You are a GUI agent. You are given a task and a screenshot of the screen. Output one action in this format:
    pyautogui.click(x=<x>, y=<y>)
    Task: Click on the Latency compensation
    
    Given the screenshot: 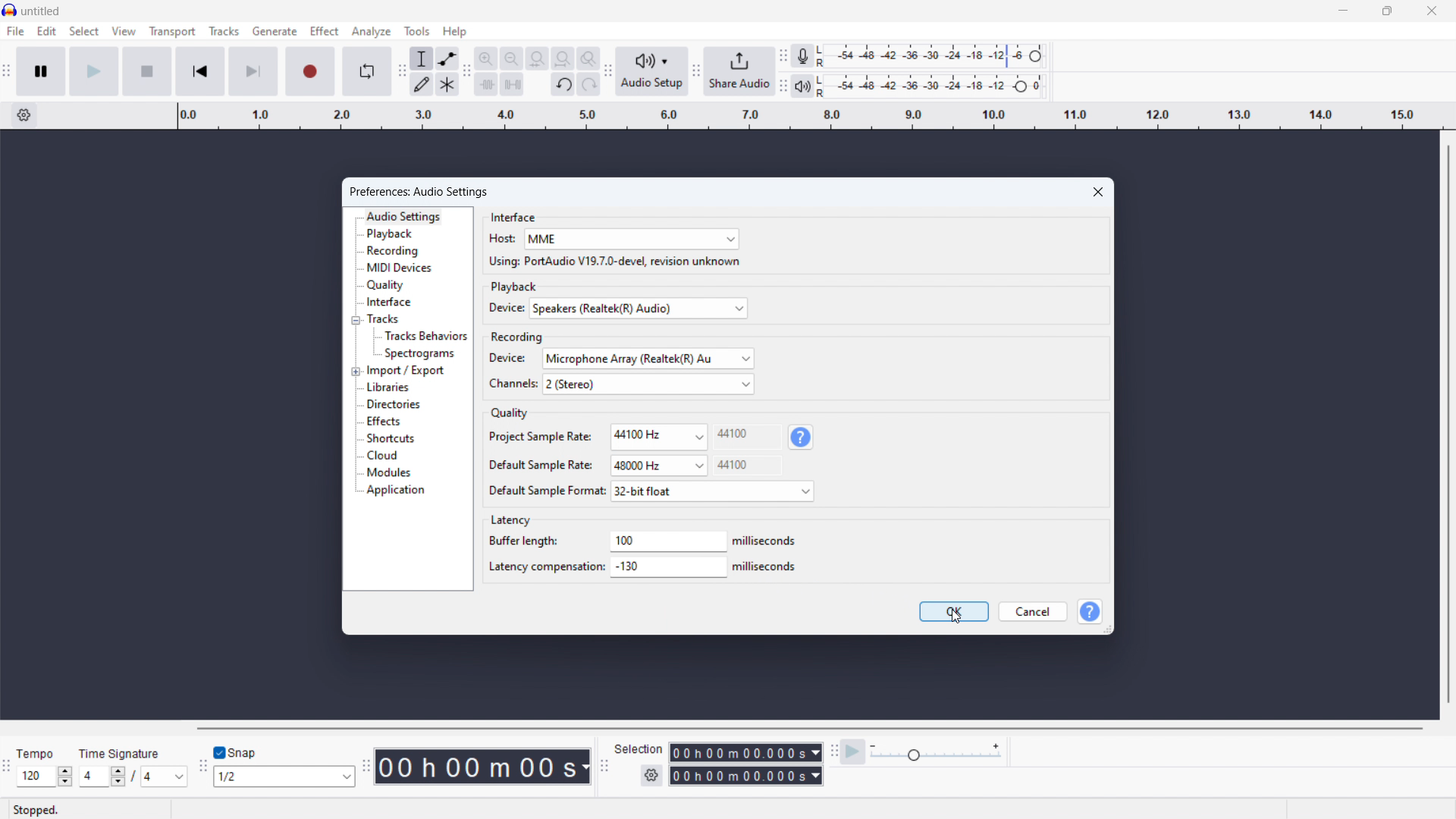 What is the action you would take?
    pyautogui.click(x=544, y=566)
    